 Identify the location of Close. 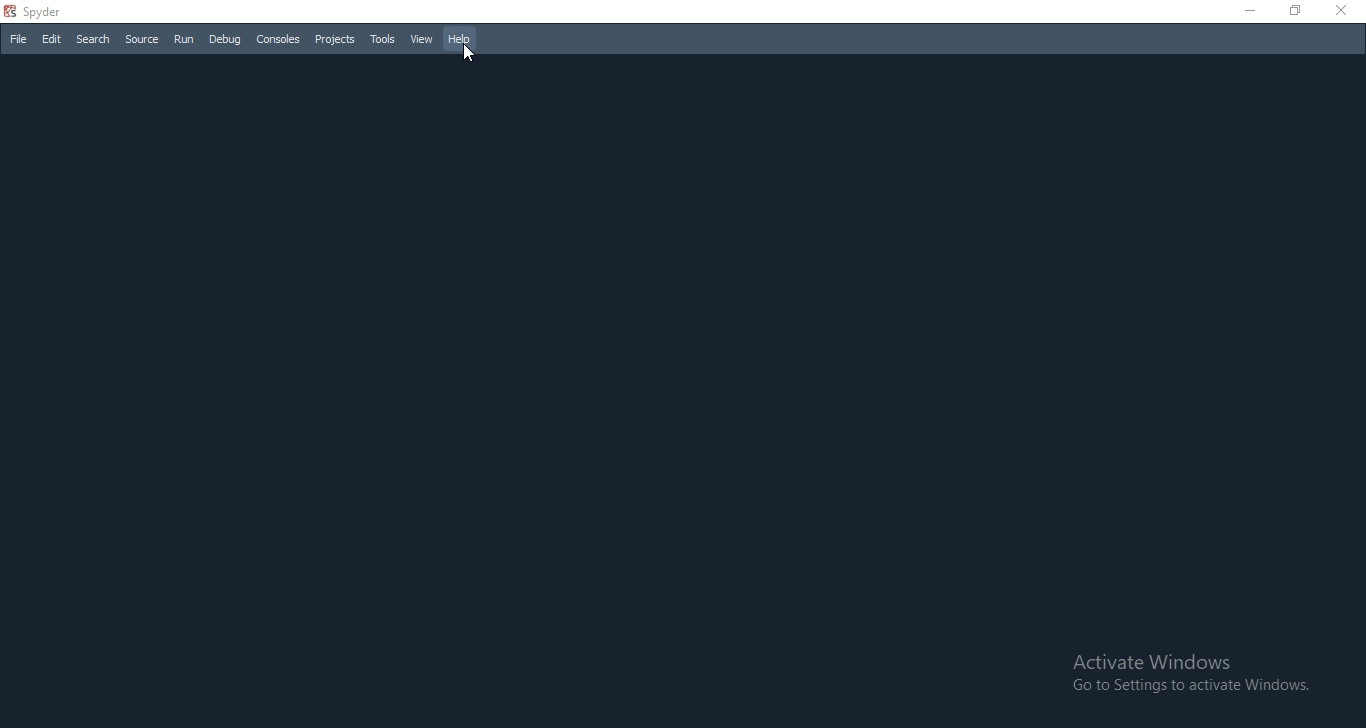
(1346, 12).